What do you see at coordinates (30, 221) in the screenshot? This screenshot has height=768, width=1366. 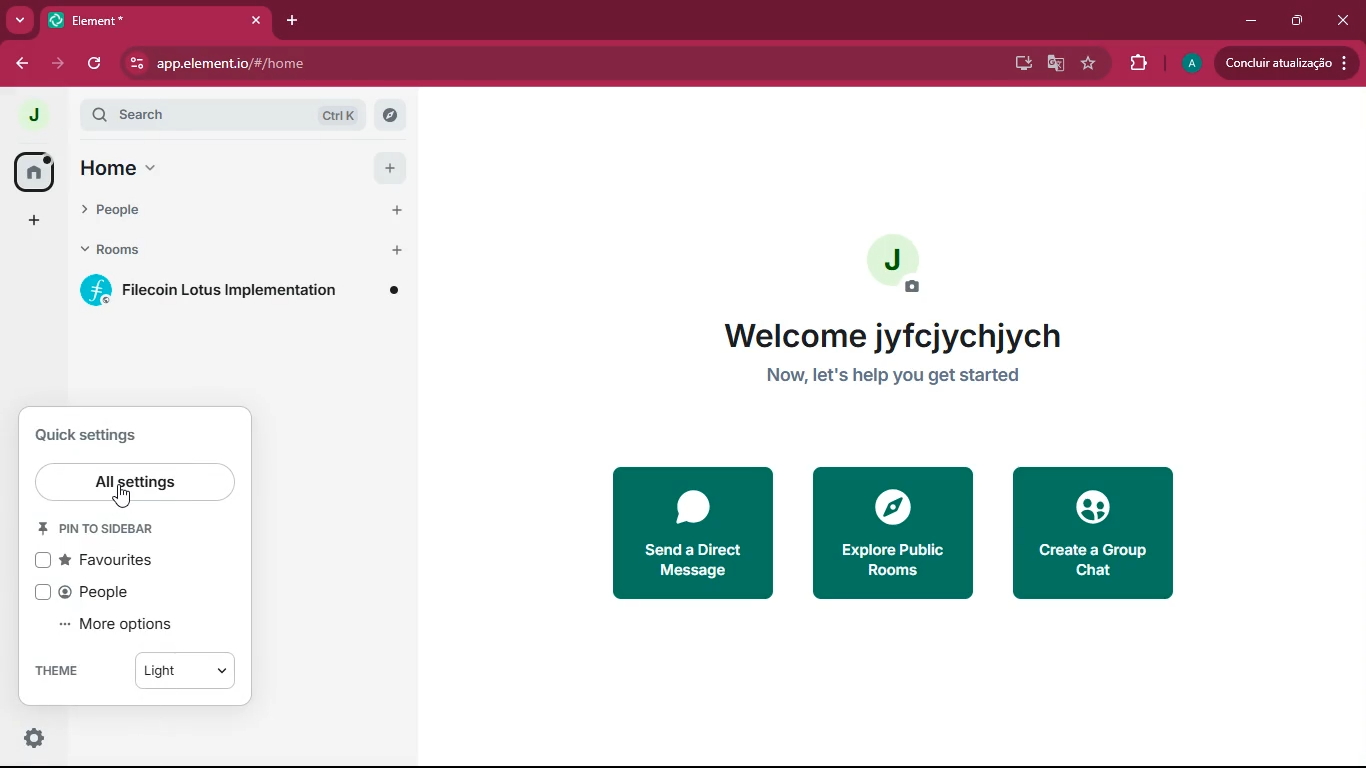 I see `add` at bounding box center [30, 221].